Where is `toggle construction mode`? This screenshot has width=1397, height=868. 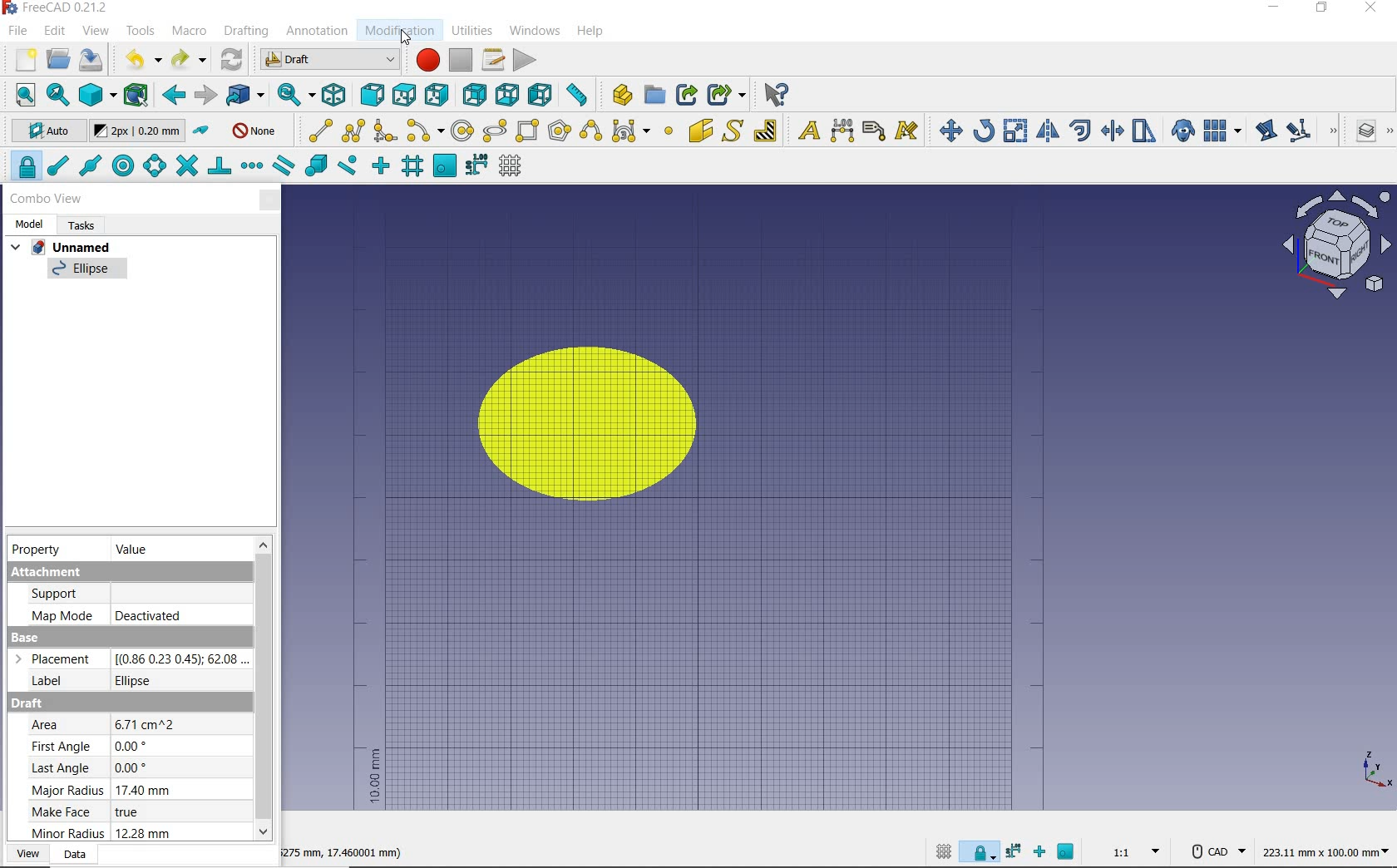 toggle construction mode is located at coordinates (201, 131).